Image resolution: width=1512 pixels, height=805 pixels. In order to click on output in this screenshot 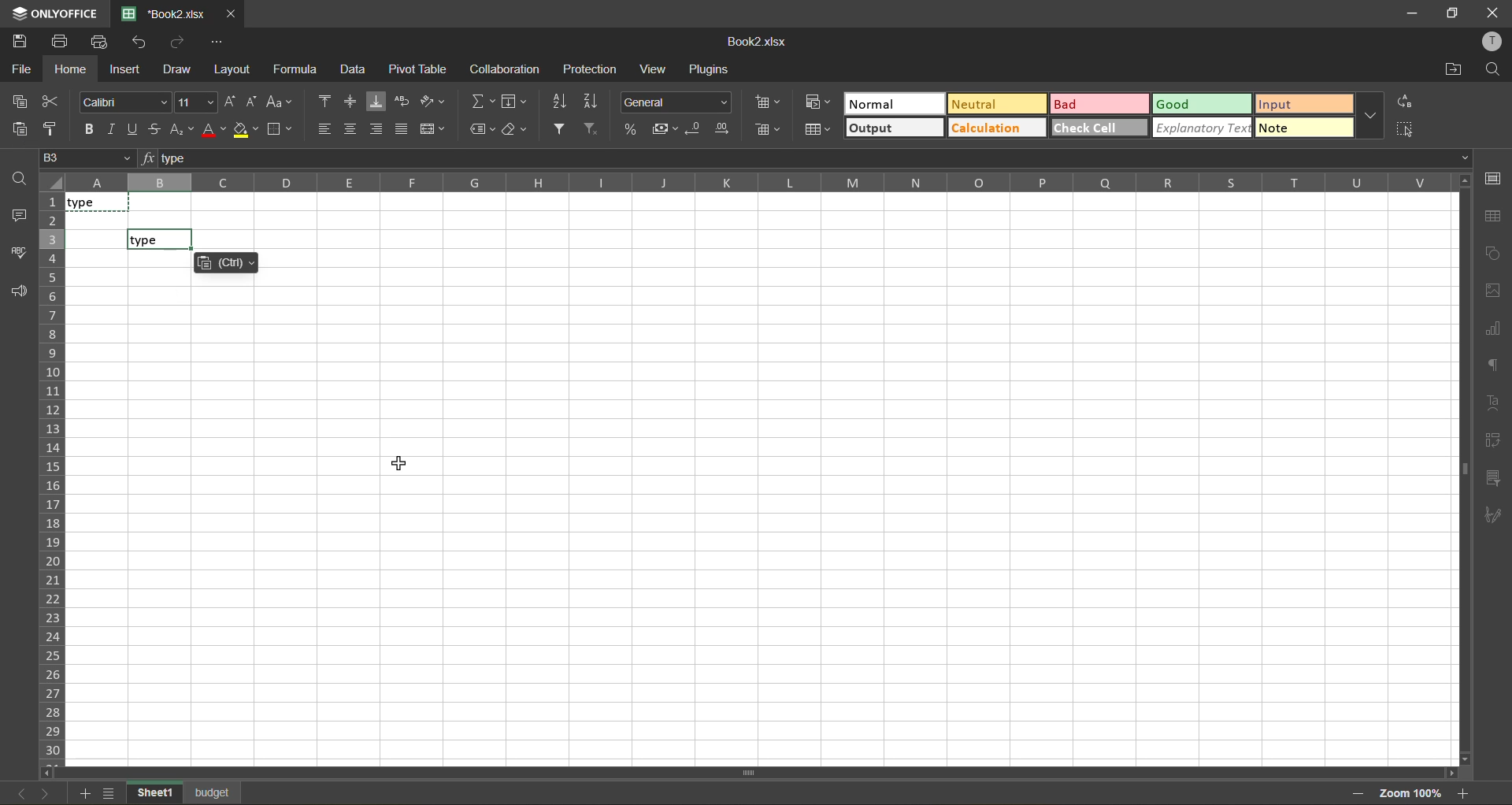, I will do `click(895, 128)`.